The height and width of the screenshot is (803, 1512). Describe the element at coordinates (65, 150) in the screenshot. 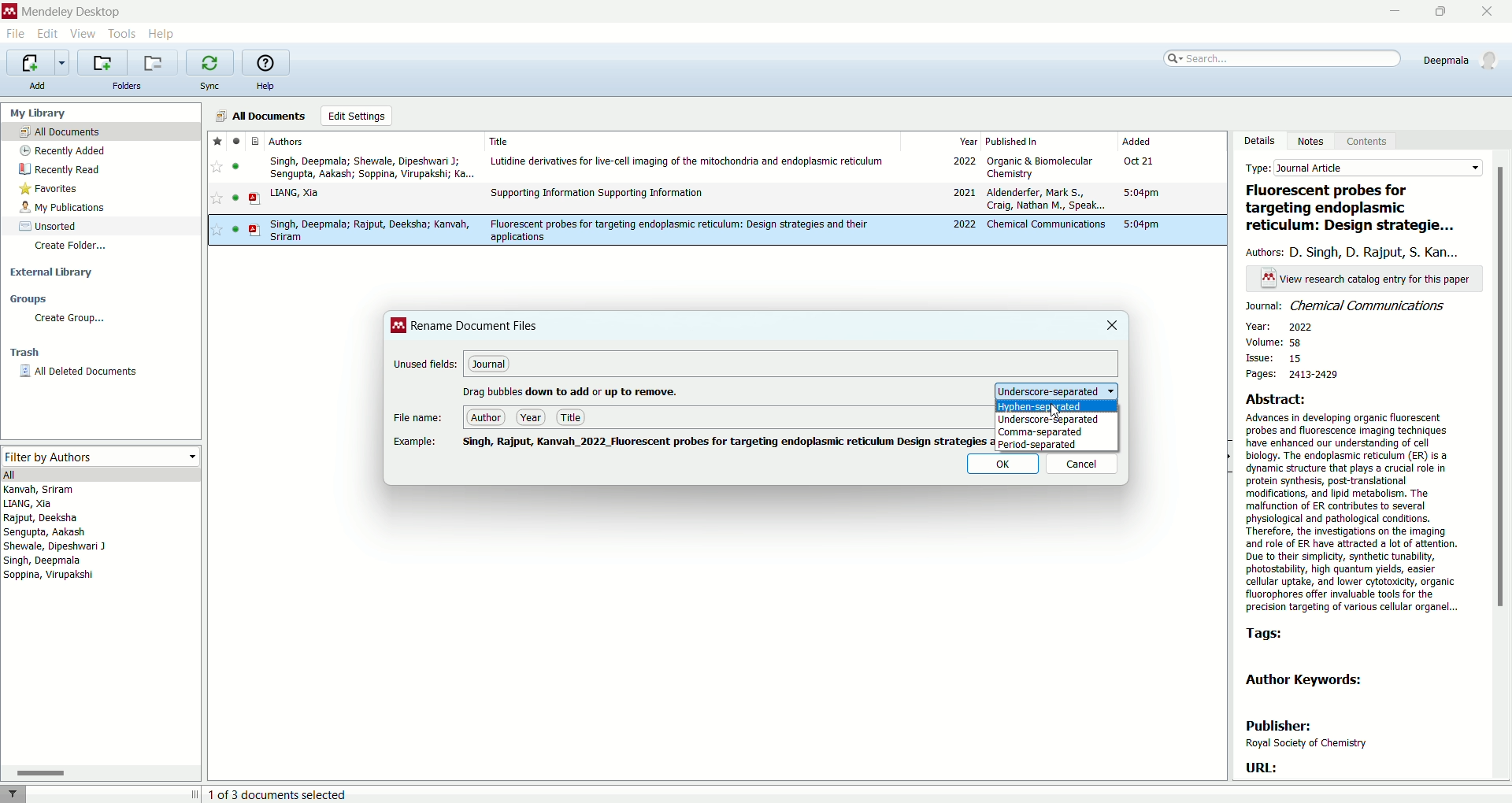

I see `recently added` at that location.